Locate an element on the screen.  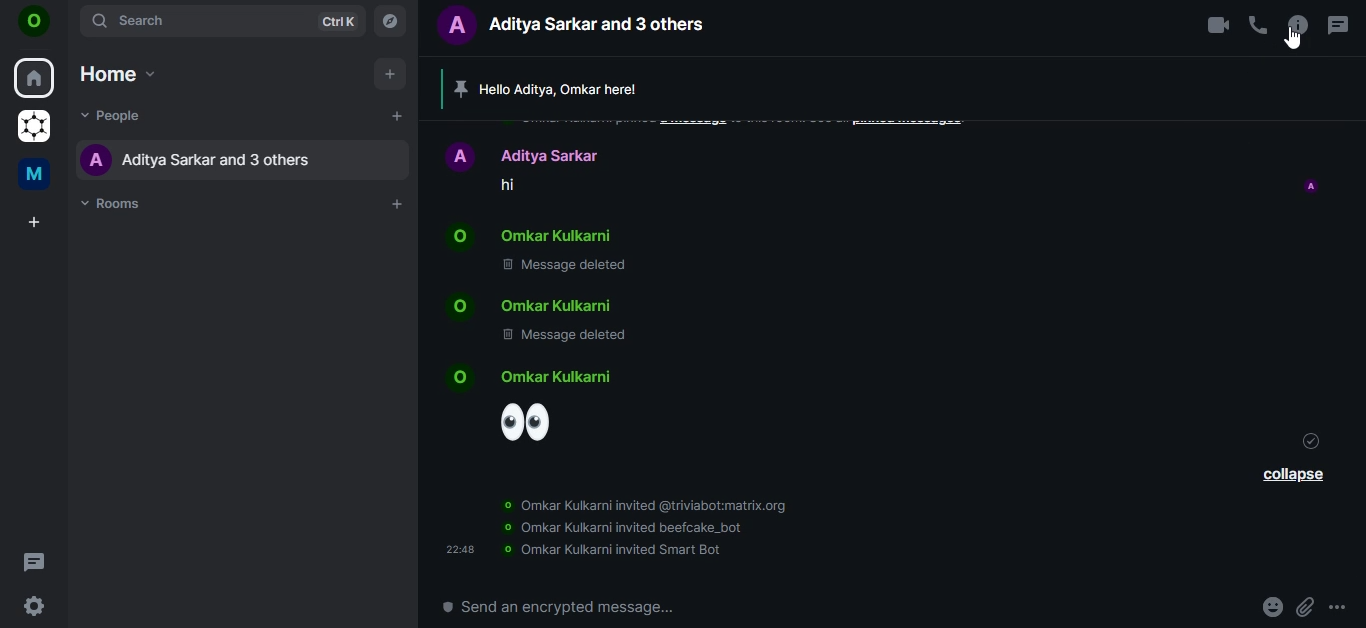
collapse is located at coordinates (1295, 473).